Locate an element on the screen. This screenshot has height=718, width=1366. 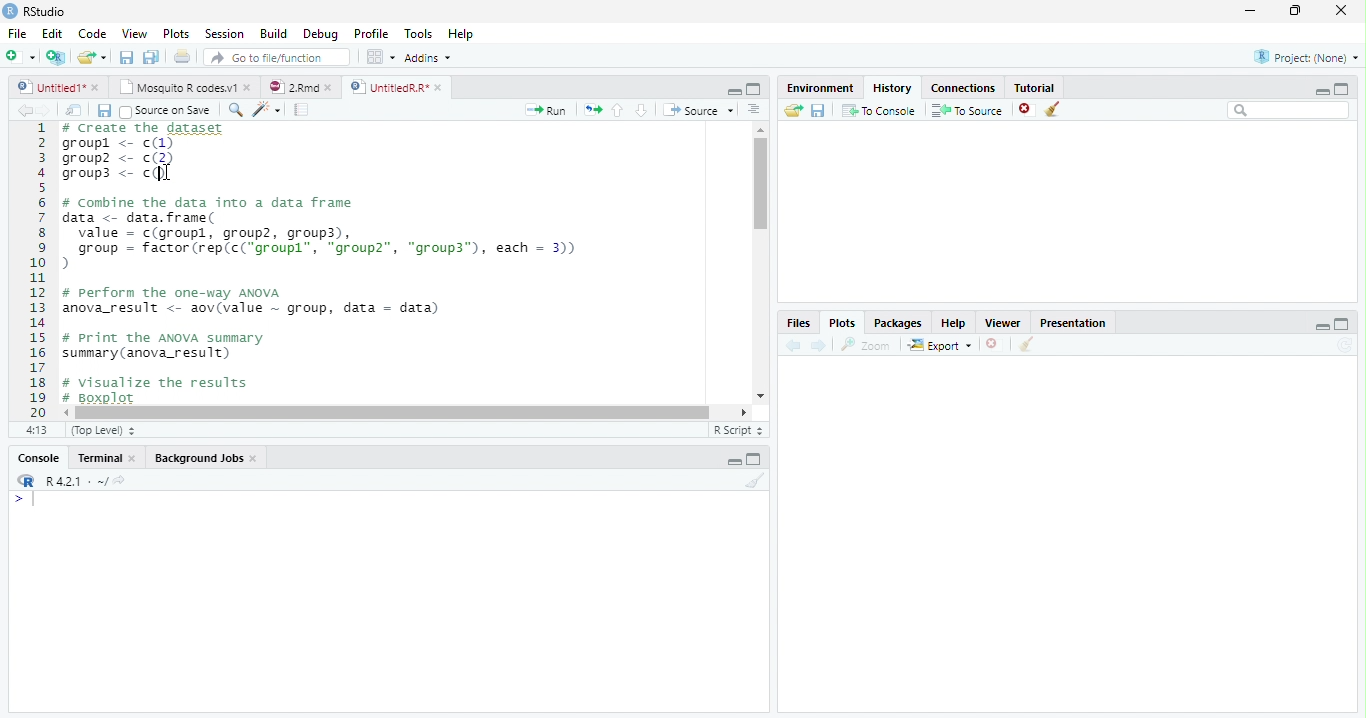
Edit is located at coordinates (51, 33).